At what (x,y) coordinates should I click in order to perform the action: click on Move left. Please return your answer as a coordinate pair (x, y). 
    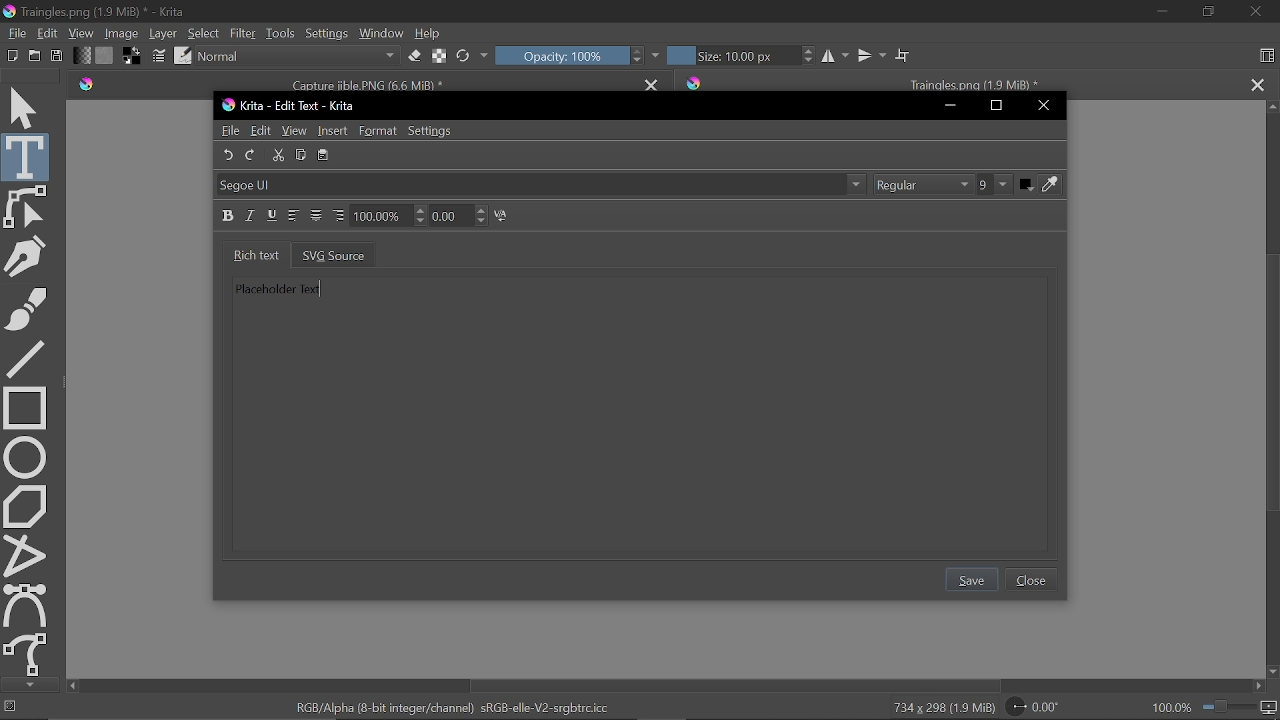
    Looking at the image, I should click on (72, 687).